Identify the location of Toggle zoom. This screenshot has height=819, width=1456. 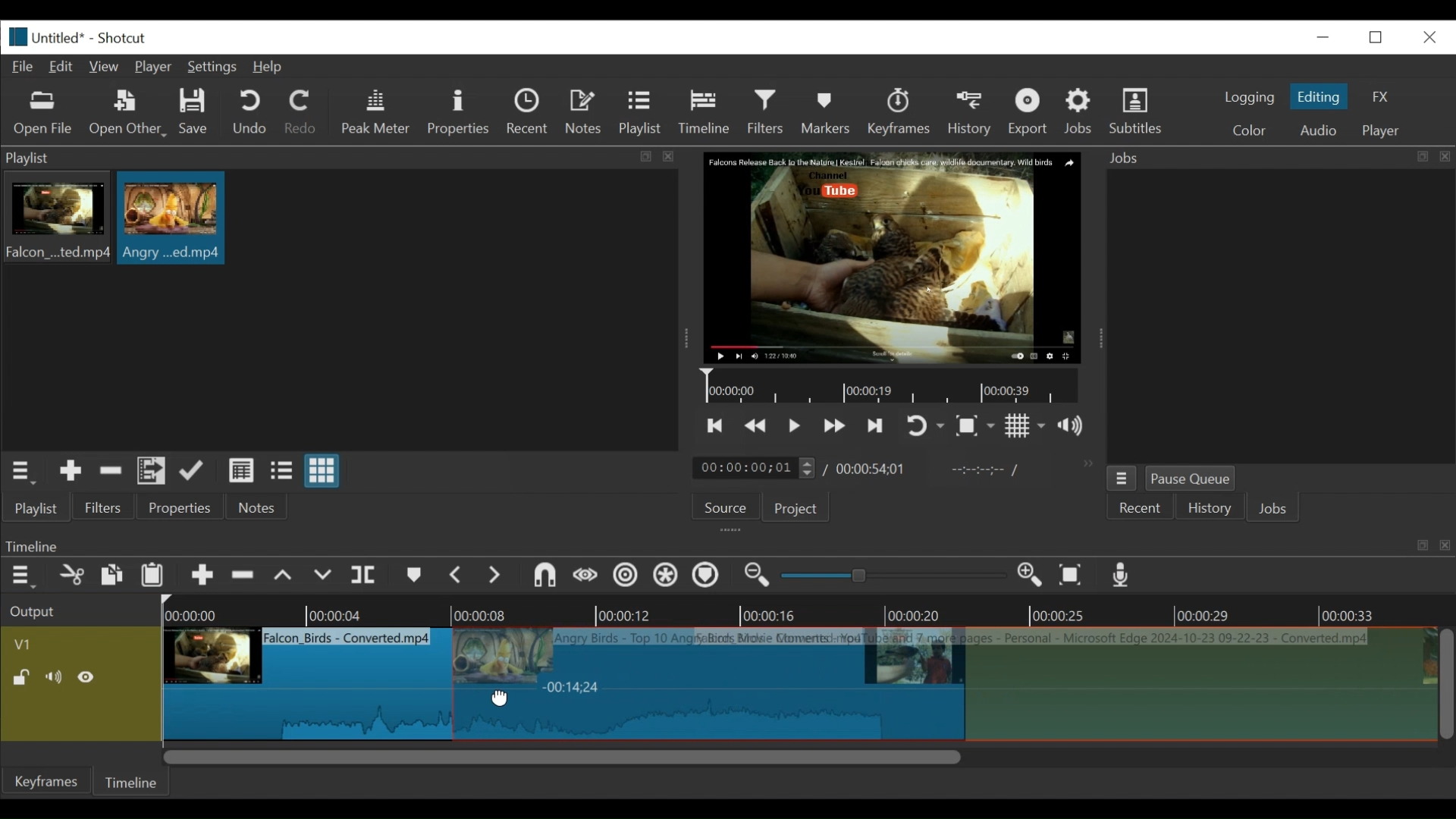
(974, 427).